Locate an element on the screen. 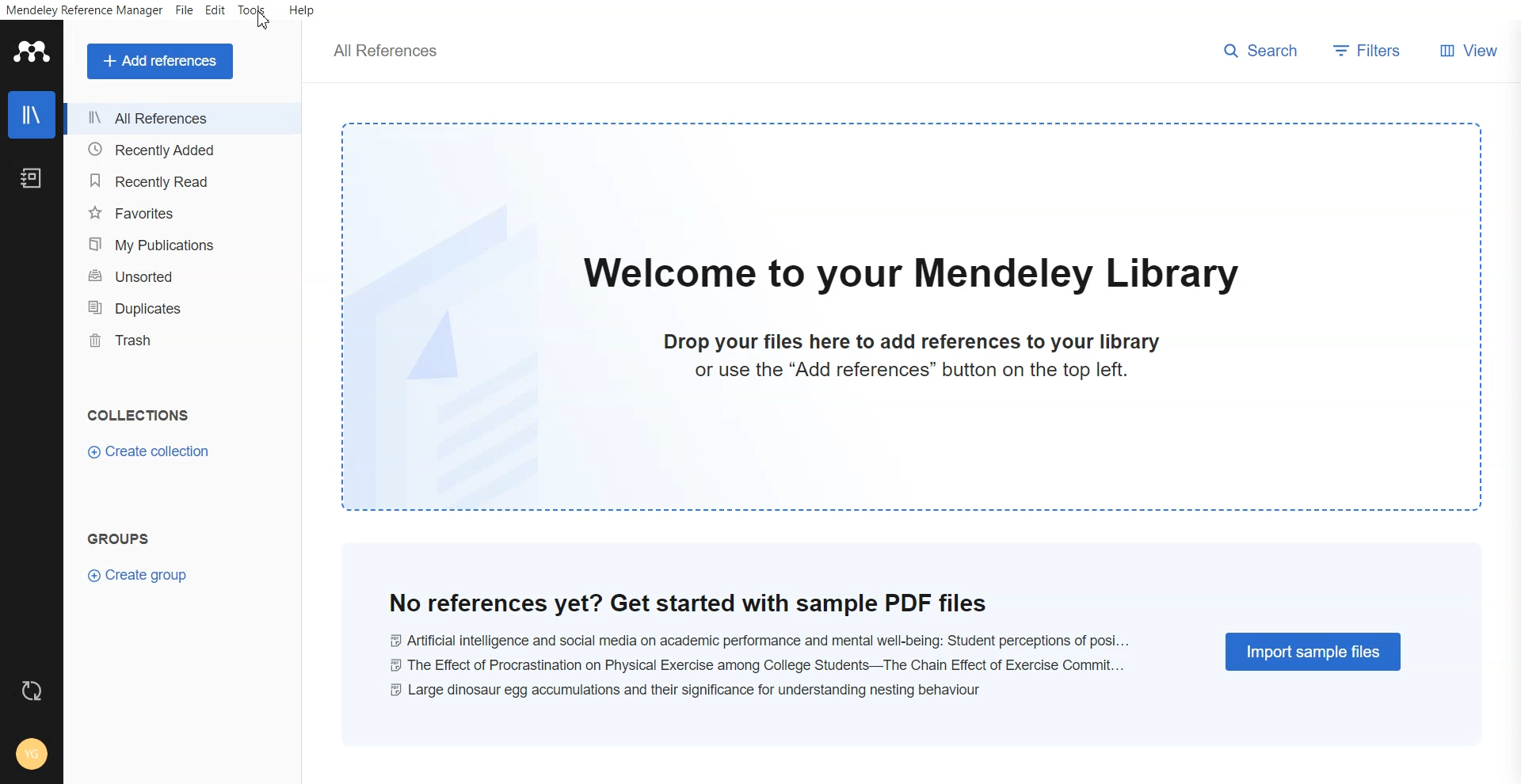 The image size is (1521, 784). cursor is located at coordinates (265, 22).